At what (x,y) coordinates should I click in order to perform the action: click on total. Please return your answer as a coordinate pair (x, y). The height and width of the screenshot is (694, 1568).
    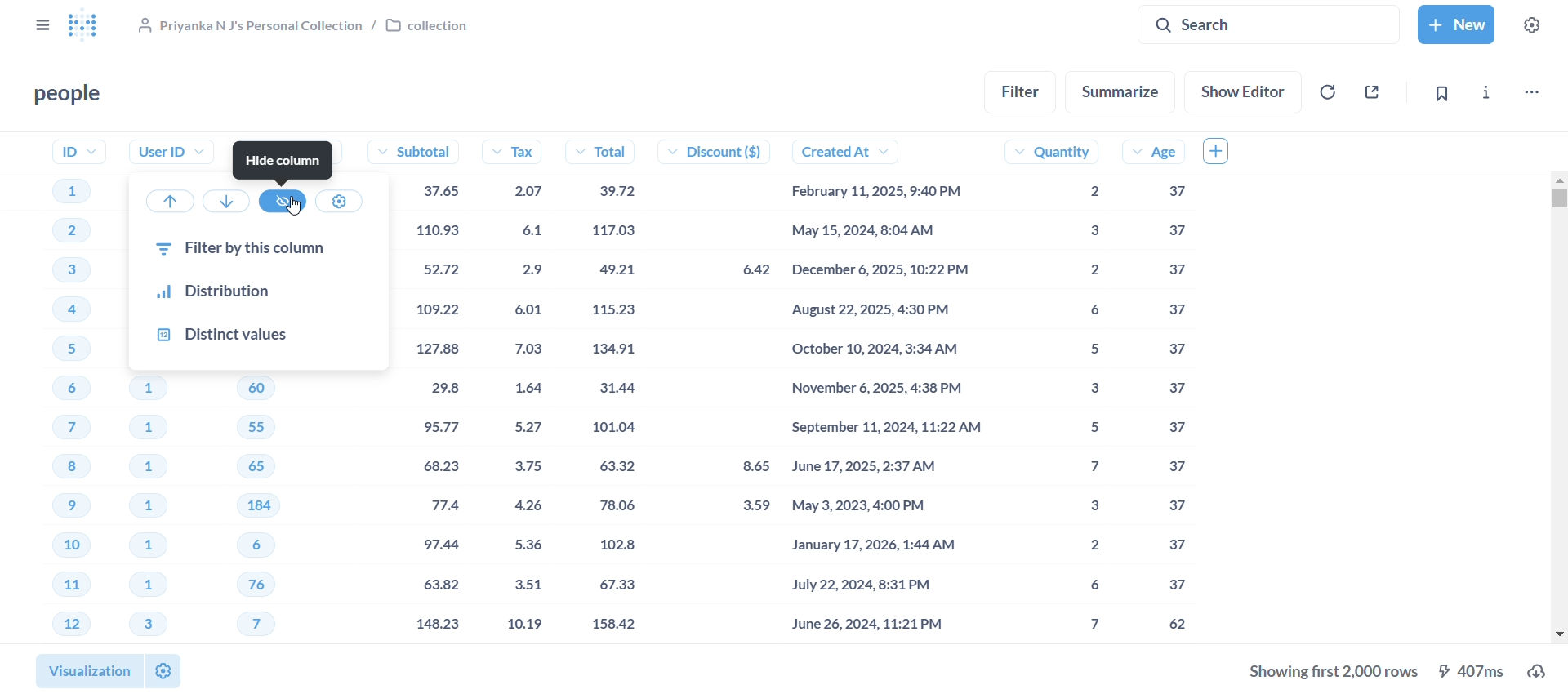
    Looking at the image, I should click on (615, 389).